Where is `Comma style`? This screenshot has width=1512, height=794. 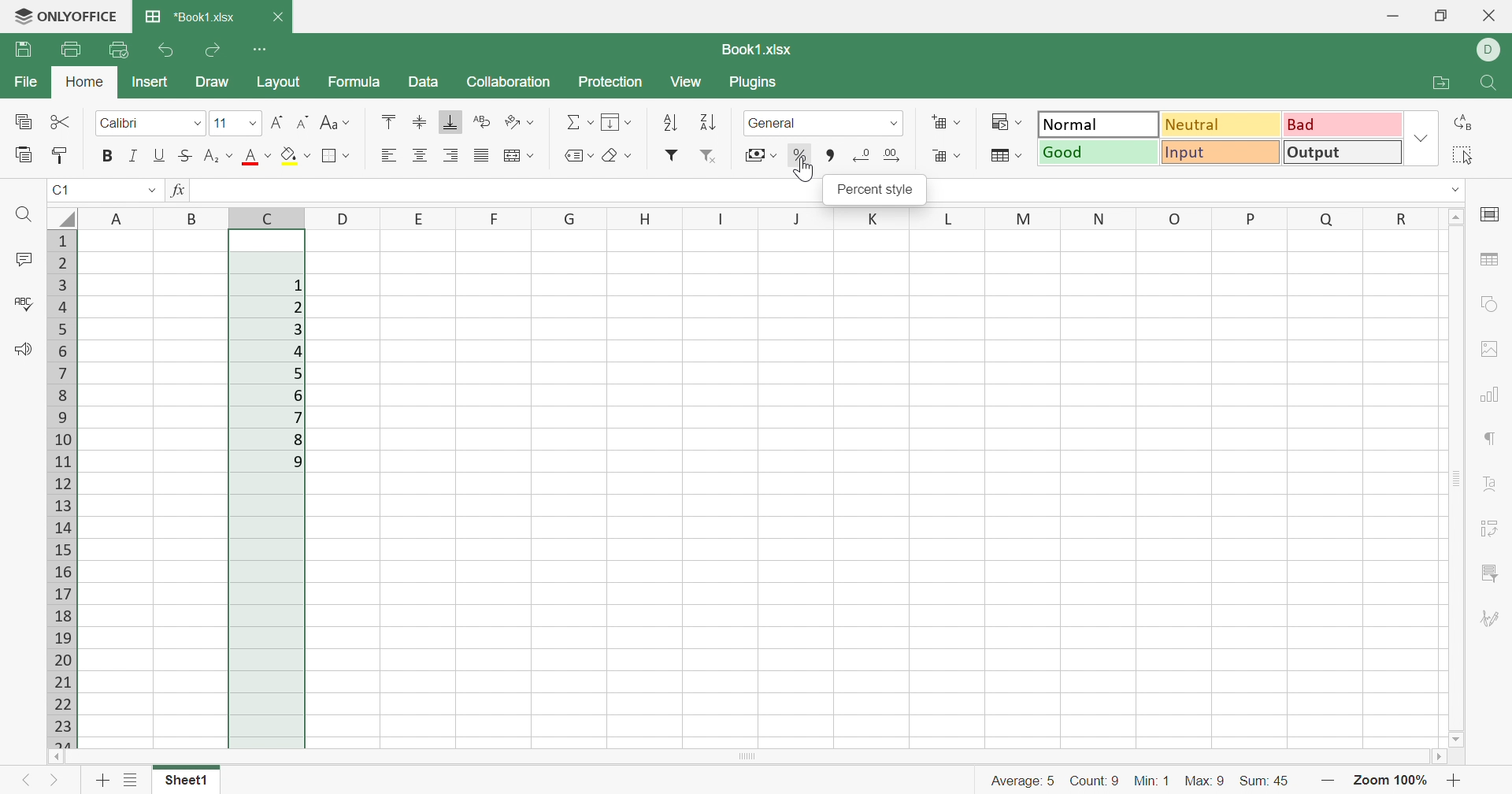
Comma style is located at coordinates (832, 156).